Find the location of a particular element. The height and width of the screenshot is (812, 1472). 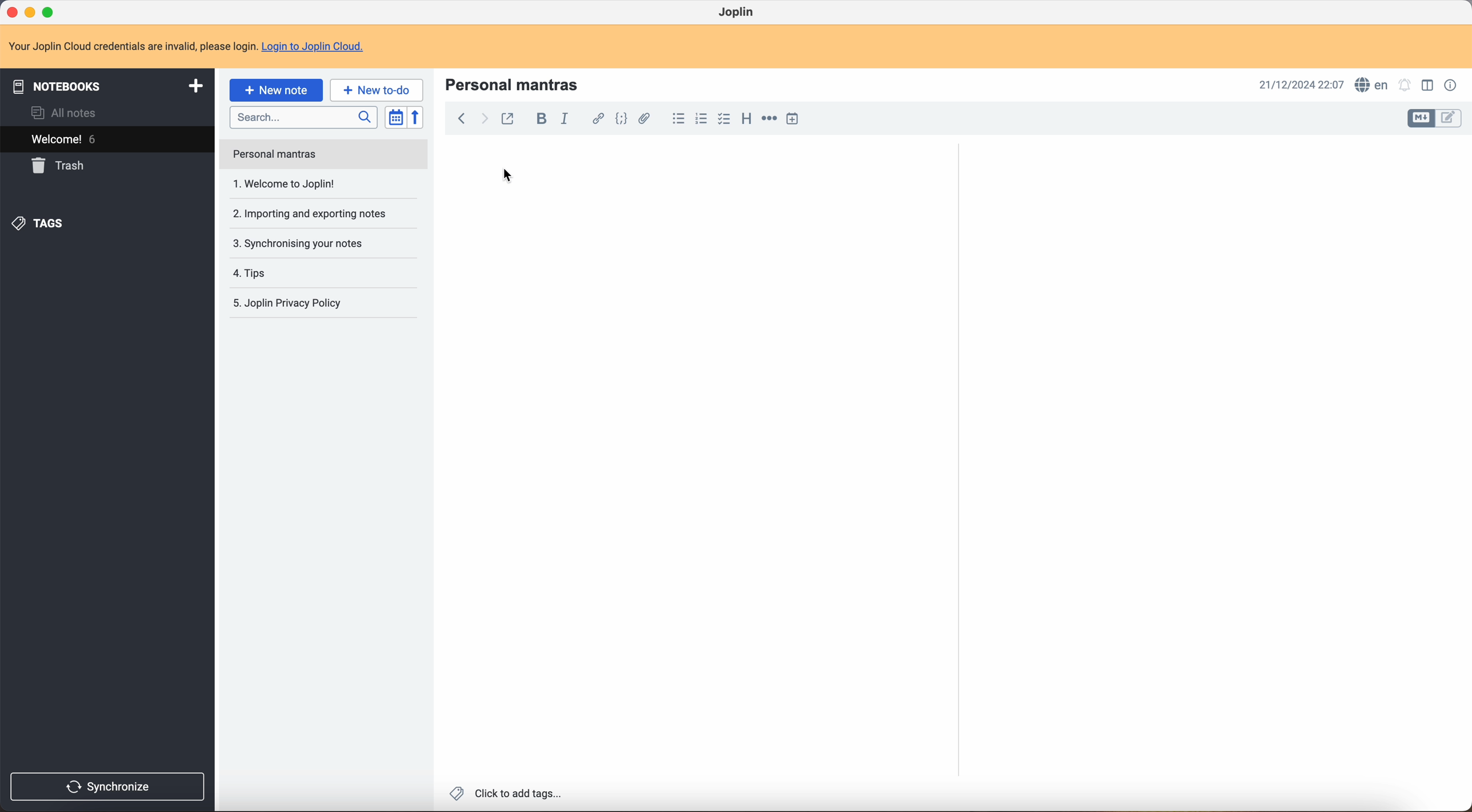

search bar is located at coordinates (305, 118).